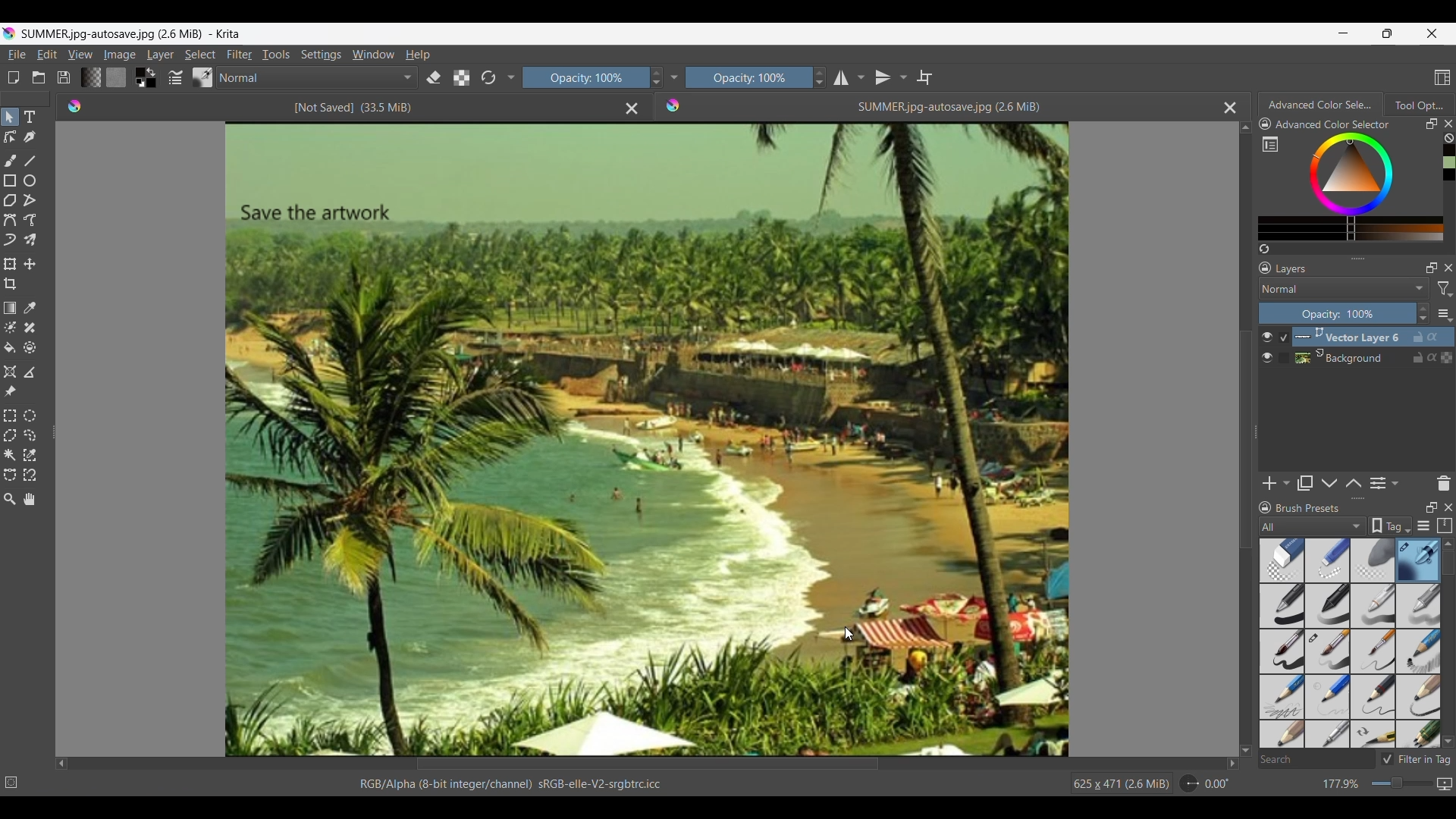 This screenshot has height=819, width=1456. Describe the element at coordinates (1316, 759) in the screenshot. I see `Search box` at that location.